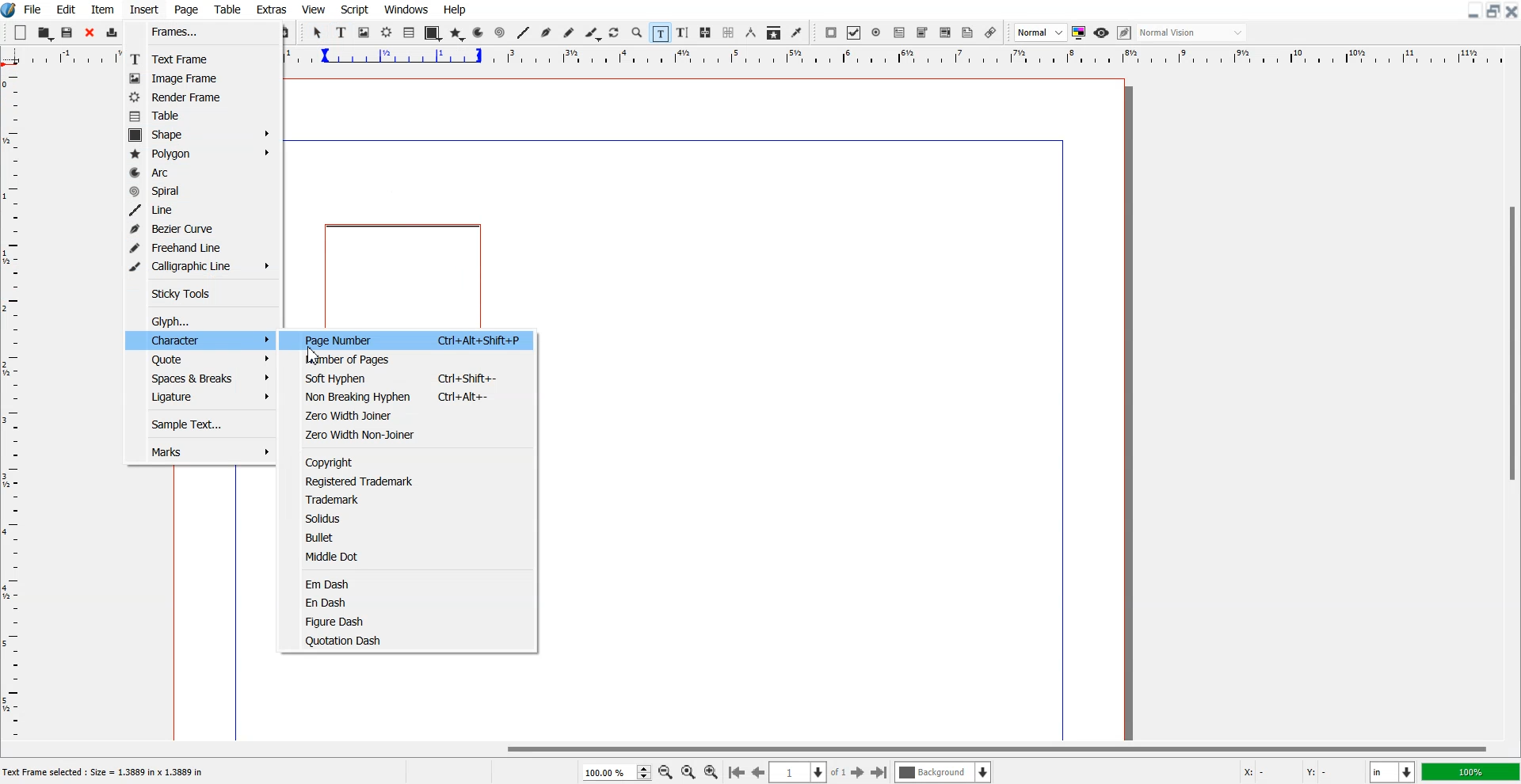 This screenshot has width=1521, height=784. What do you see at coordinates (774, 33) in the screenshot?
I see `Copy item properties` at bounding box center [774, 33].